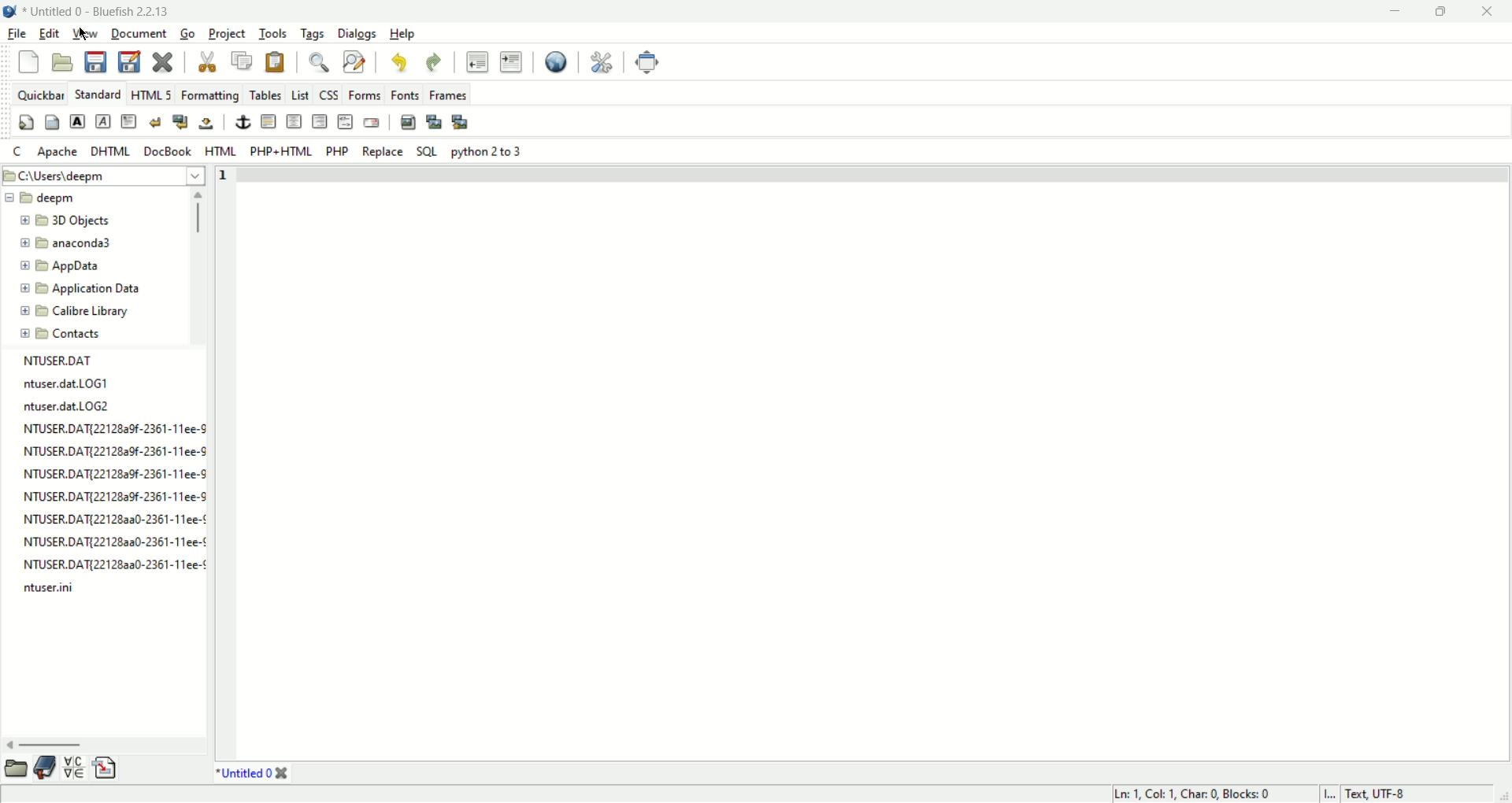  Describe the element at coordinates (330, 94) in the screenshot. I see `CSS` at that location.